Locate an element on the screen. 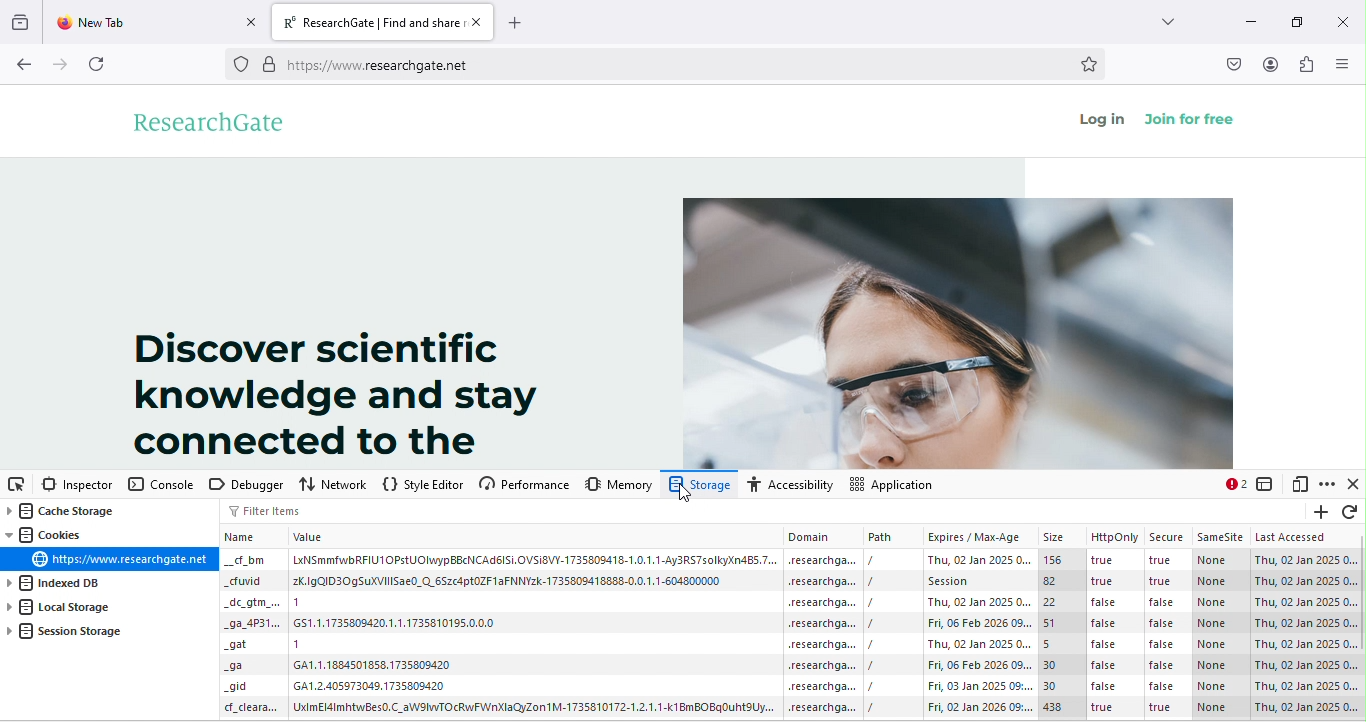 The image size is (1366, 722). 438 is located at coordinates (1055, 709).